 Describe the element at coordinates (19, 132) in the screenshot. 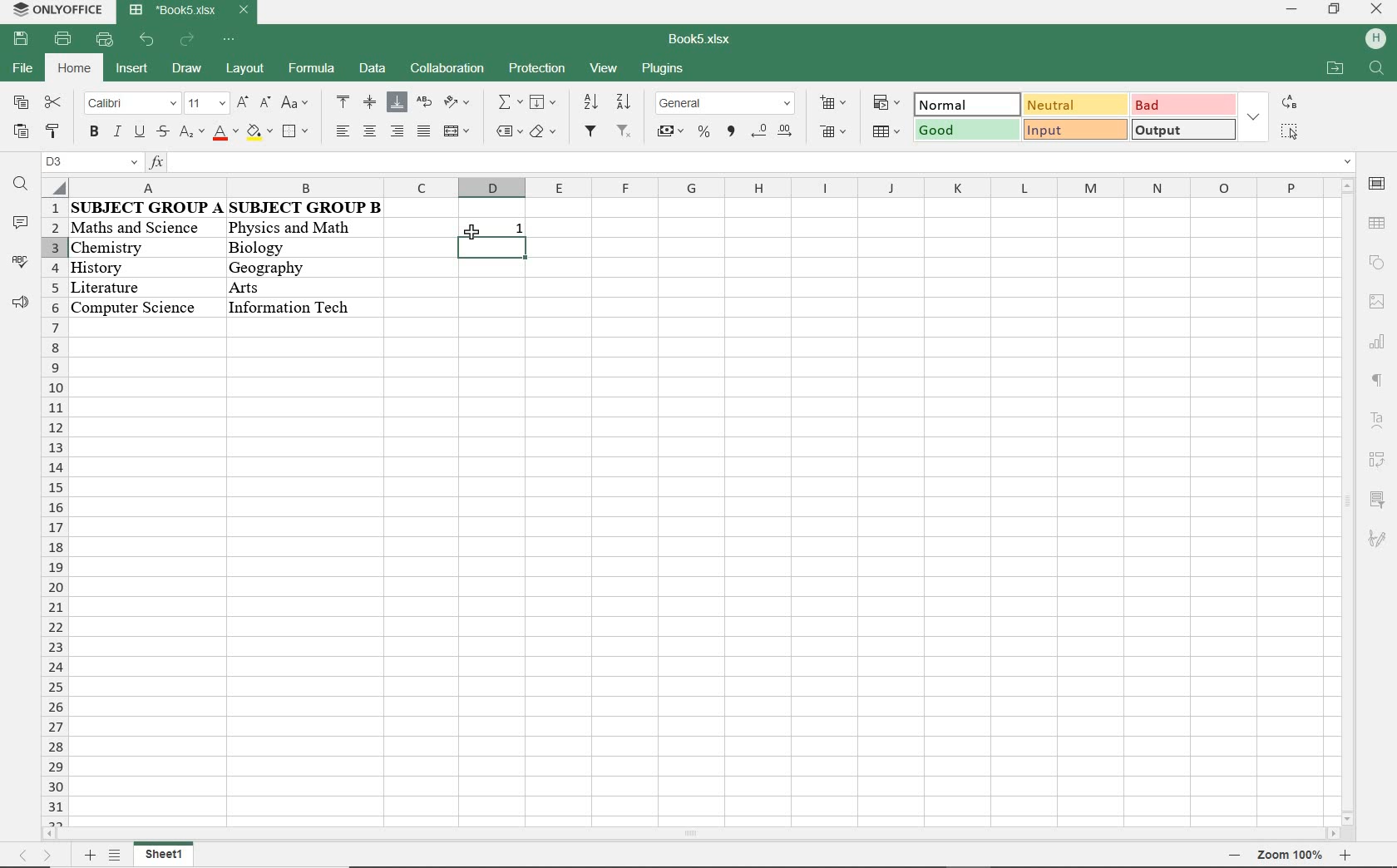

I see `paste` at that location.